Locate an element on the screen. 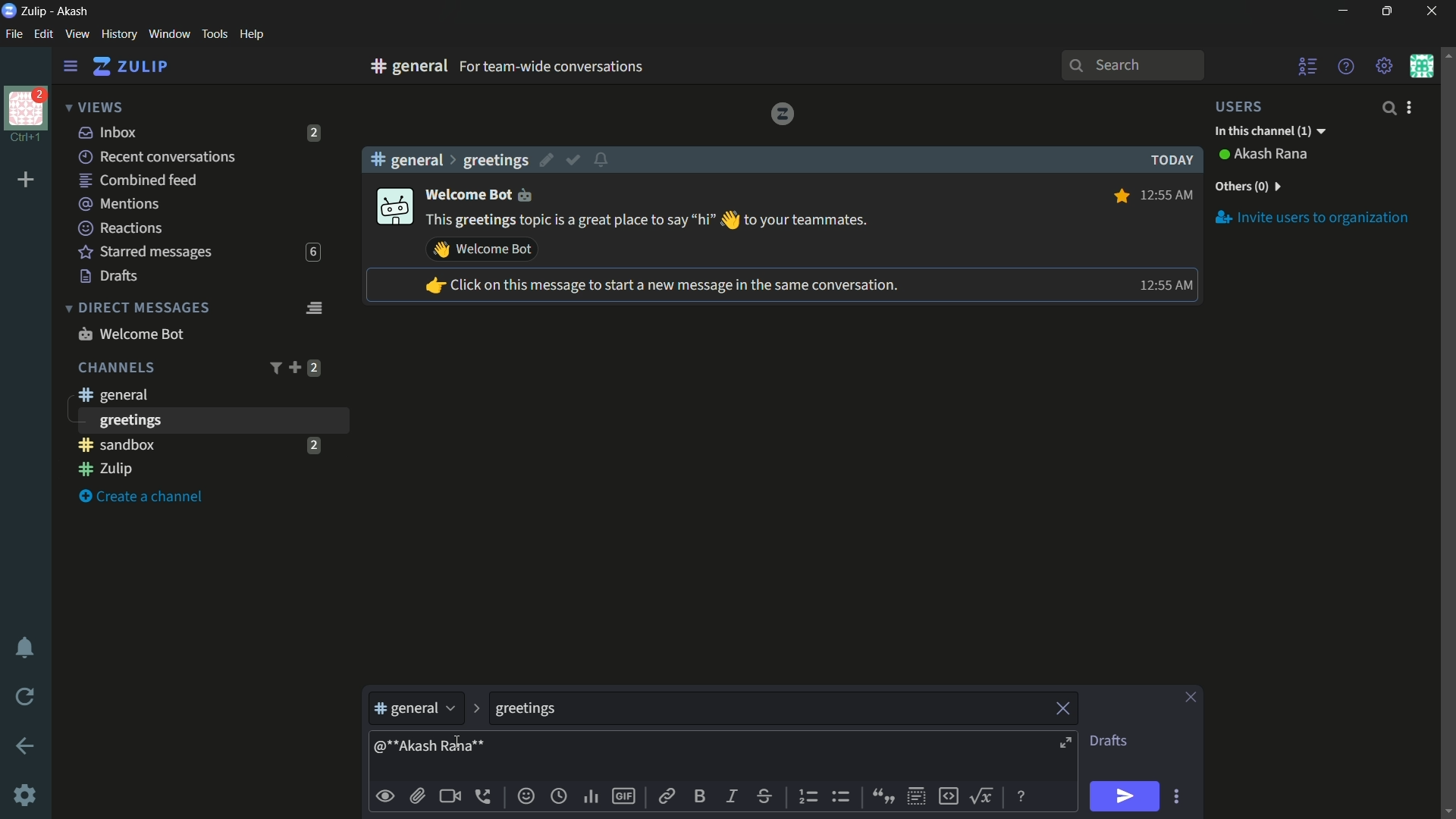  12: 55 AM is located at coordinates (1163, 285).